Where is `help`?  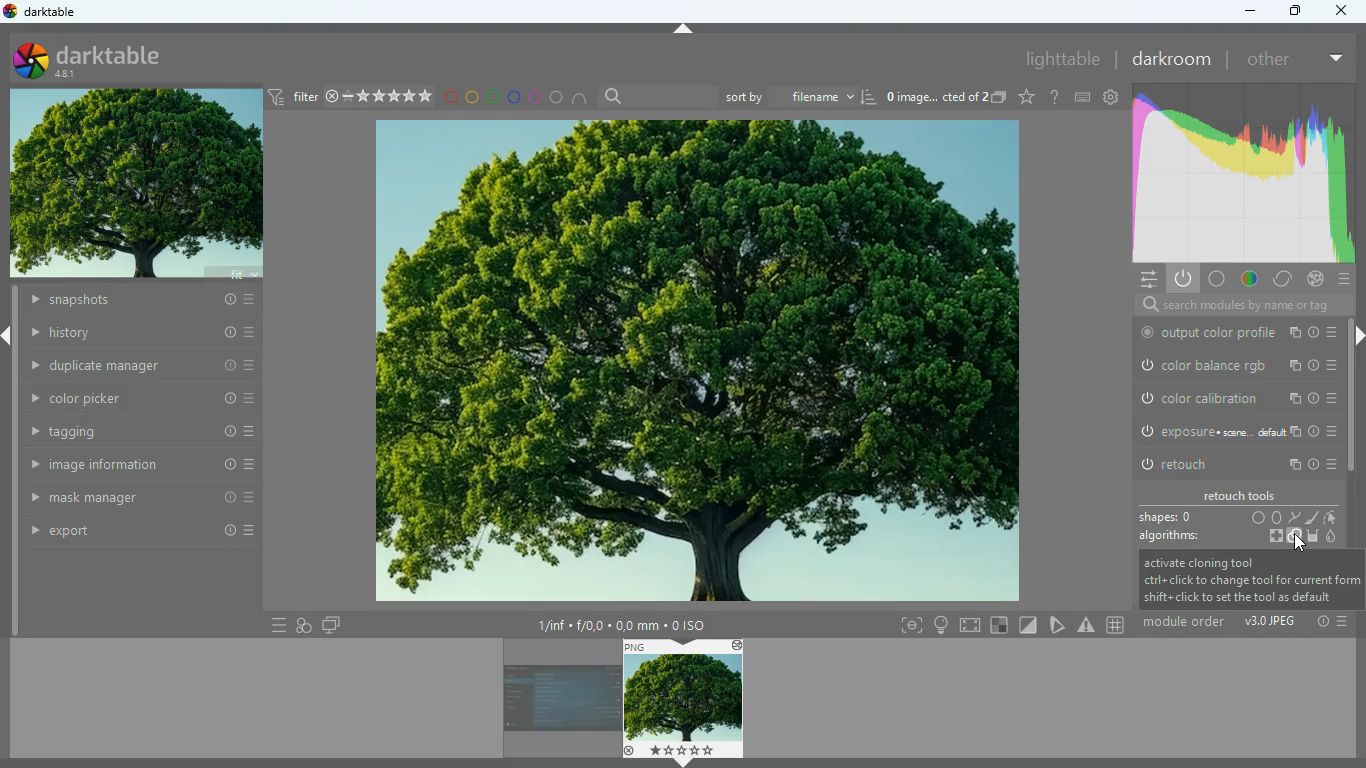
help is located at coordinates (1054, 97).